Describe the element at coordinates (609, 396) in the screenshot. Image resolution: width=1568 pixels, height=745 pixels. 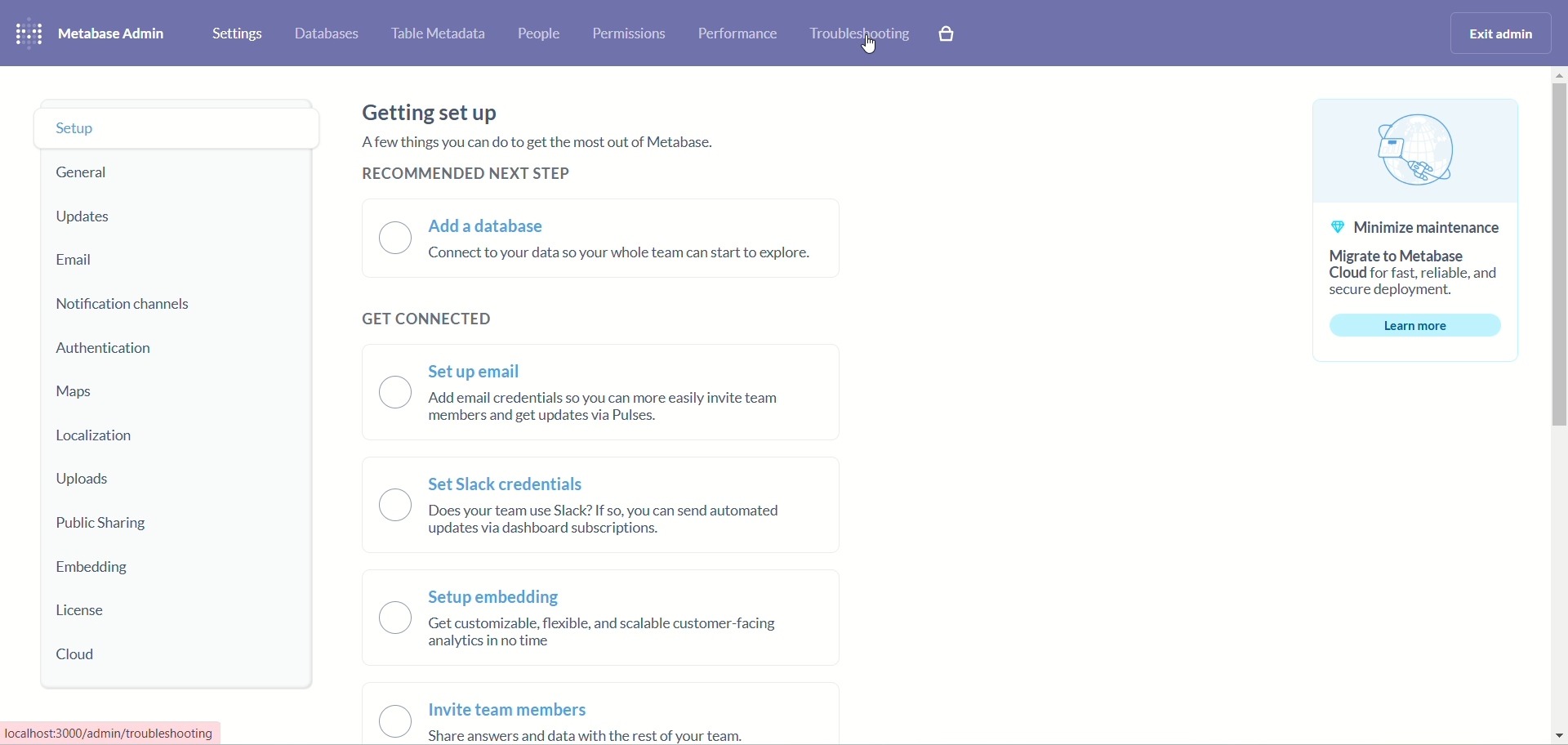
I see `set up email` at that location.